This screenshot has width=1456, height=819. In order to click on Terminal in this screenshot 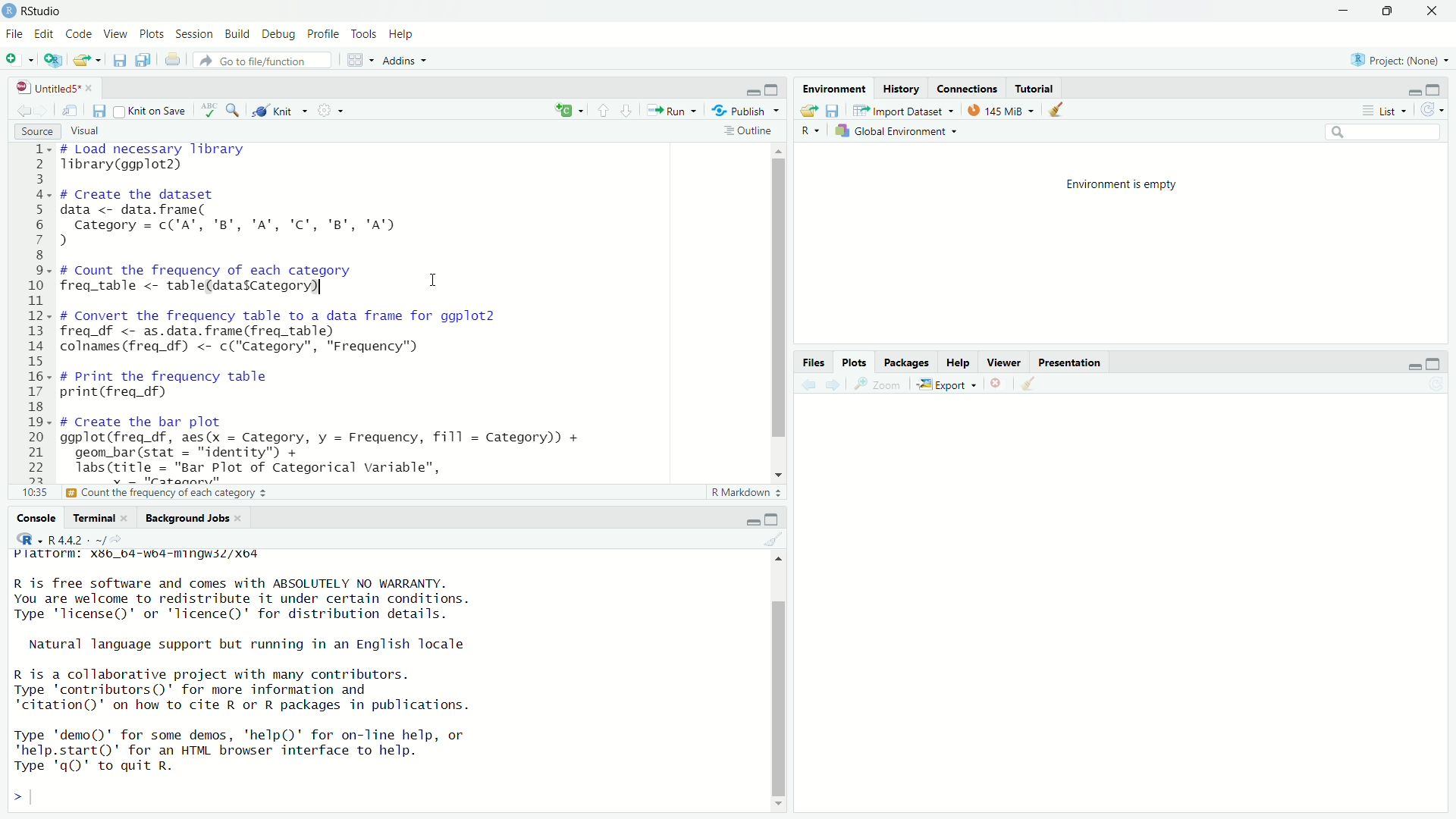, I will do `click(93, 518)`.